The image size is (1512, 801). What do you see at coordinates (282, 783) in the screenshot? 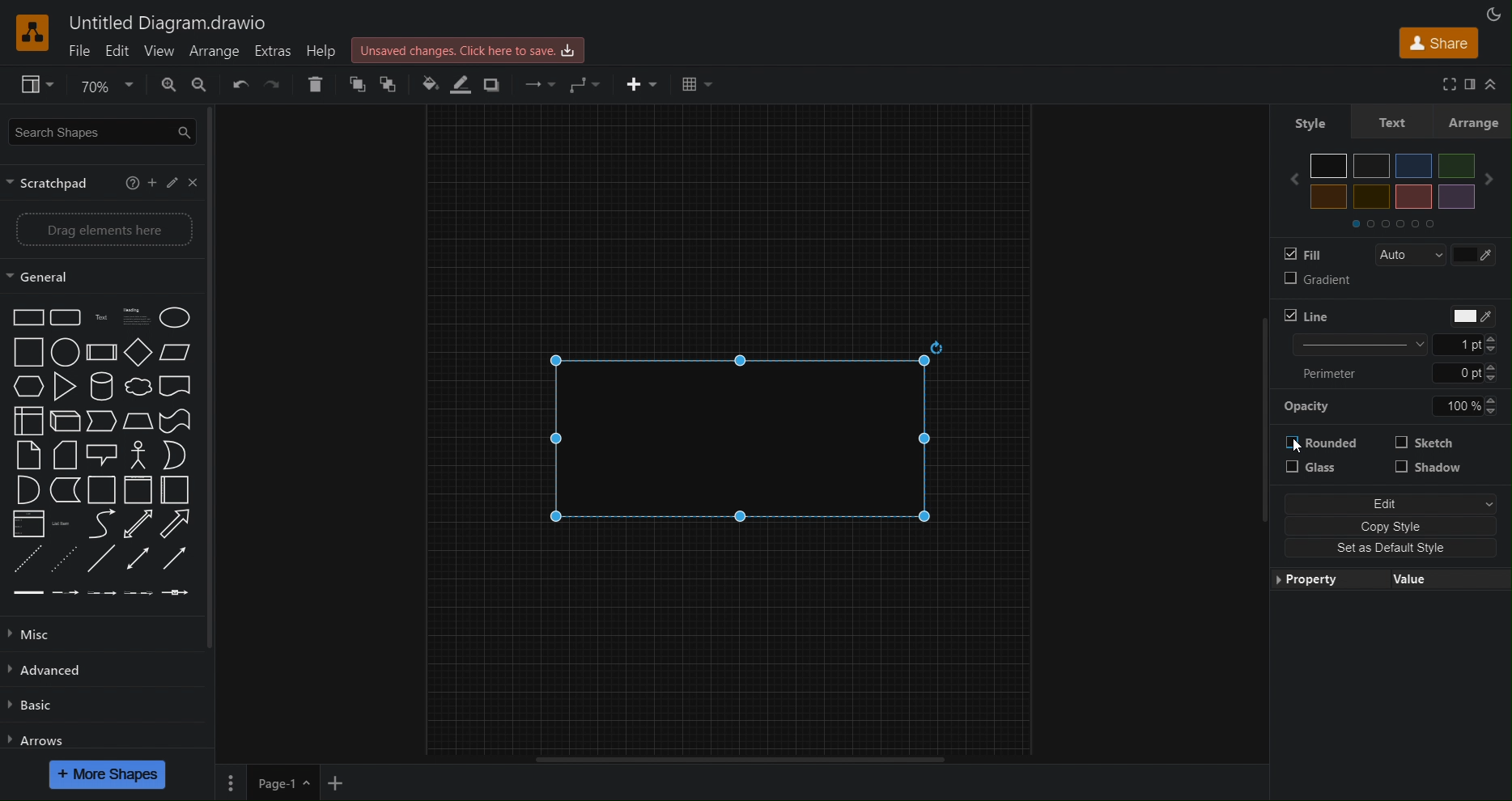
I see `Page 1` at bounding box center [282, 783].